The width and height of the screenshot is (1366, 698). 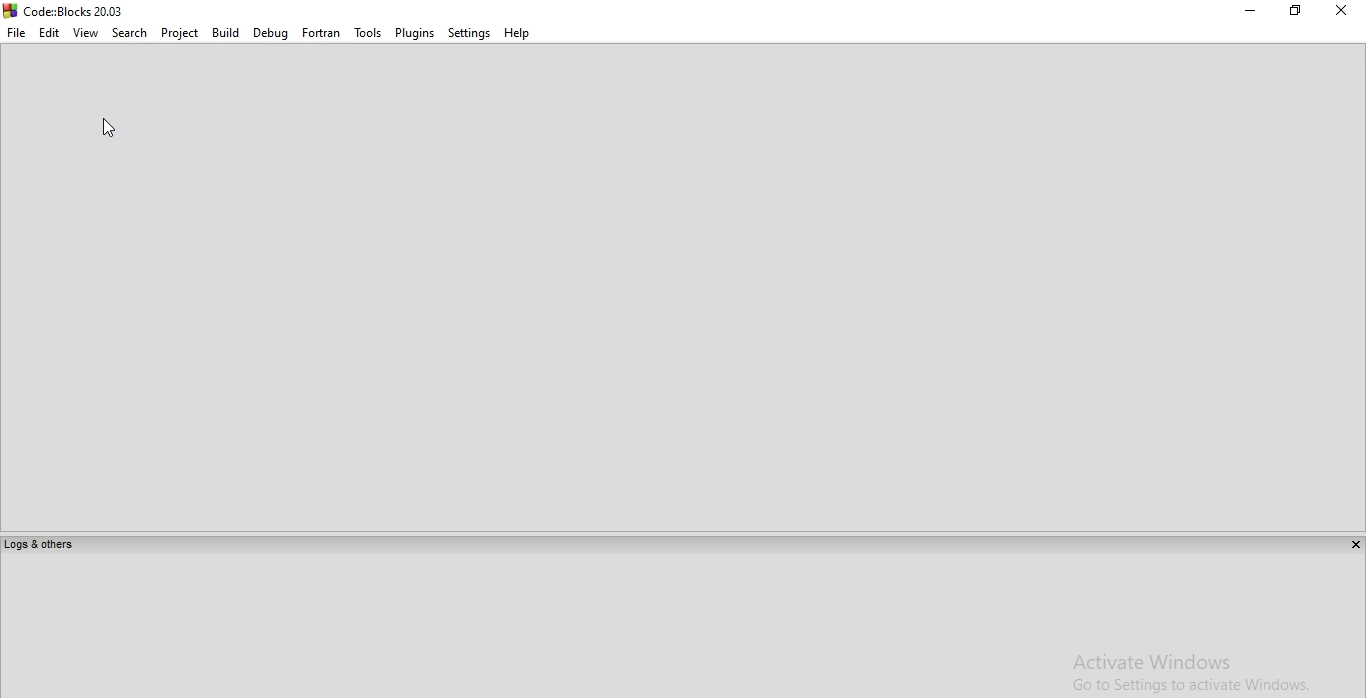 What do you see at coordinates (109, 127) in the screenshot?
I see `cursor` at bounding box center [109, 127].